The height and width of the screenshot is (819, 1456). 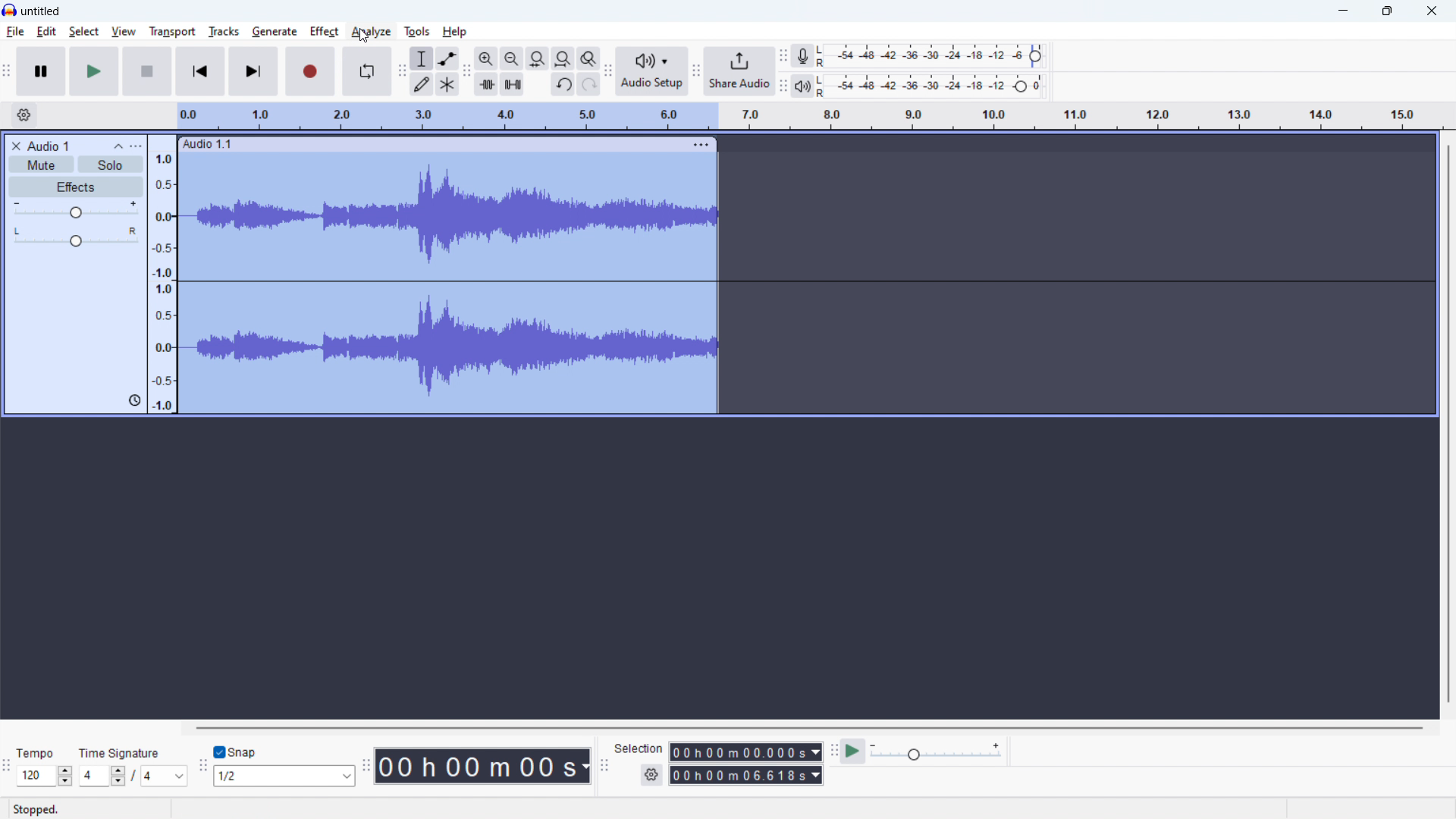 What do you see at coordinates (132, 400) in the screenshot?
I see `icon` at bounding box center [132, 400].